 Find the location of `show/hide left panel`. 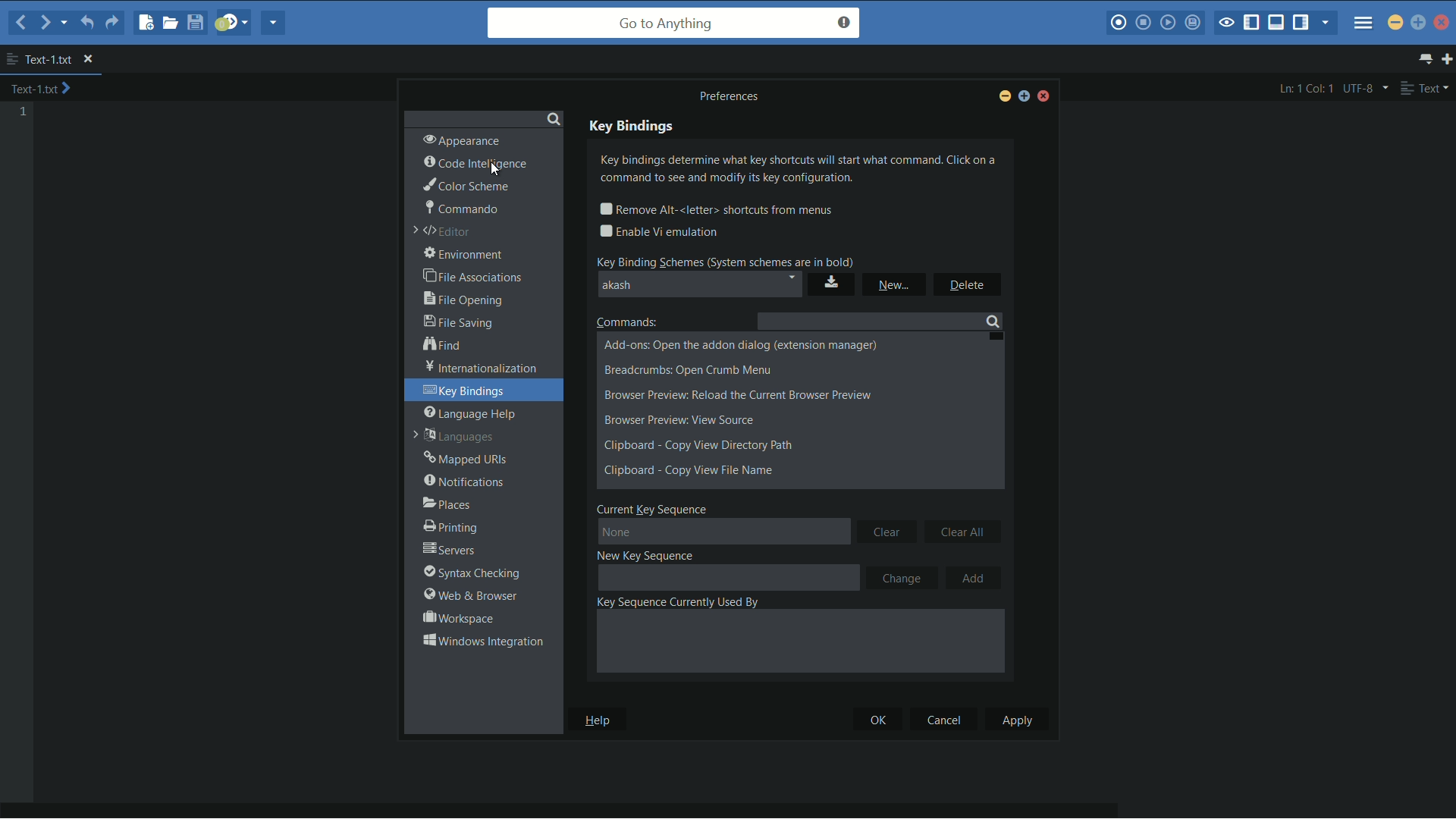

show/hide left panel is located at coordinates (1252, 24).